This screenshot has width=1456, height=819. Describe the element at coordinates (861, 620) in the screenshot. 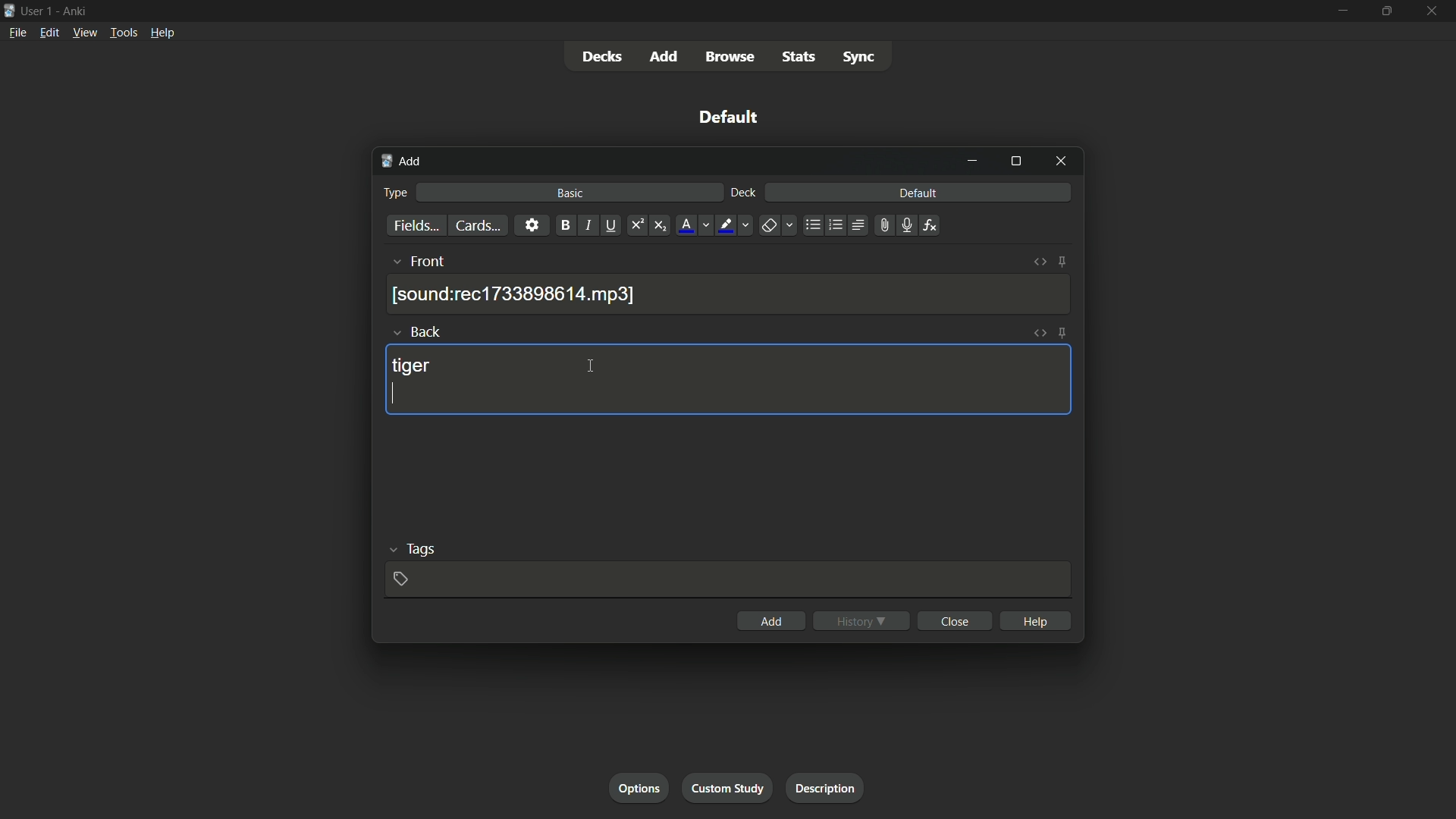

I see `history` at that location.